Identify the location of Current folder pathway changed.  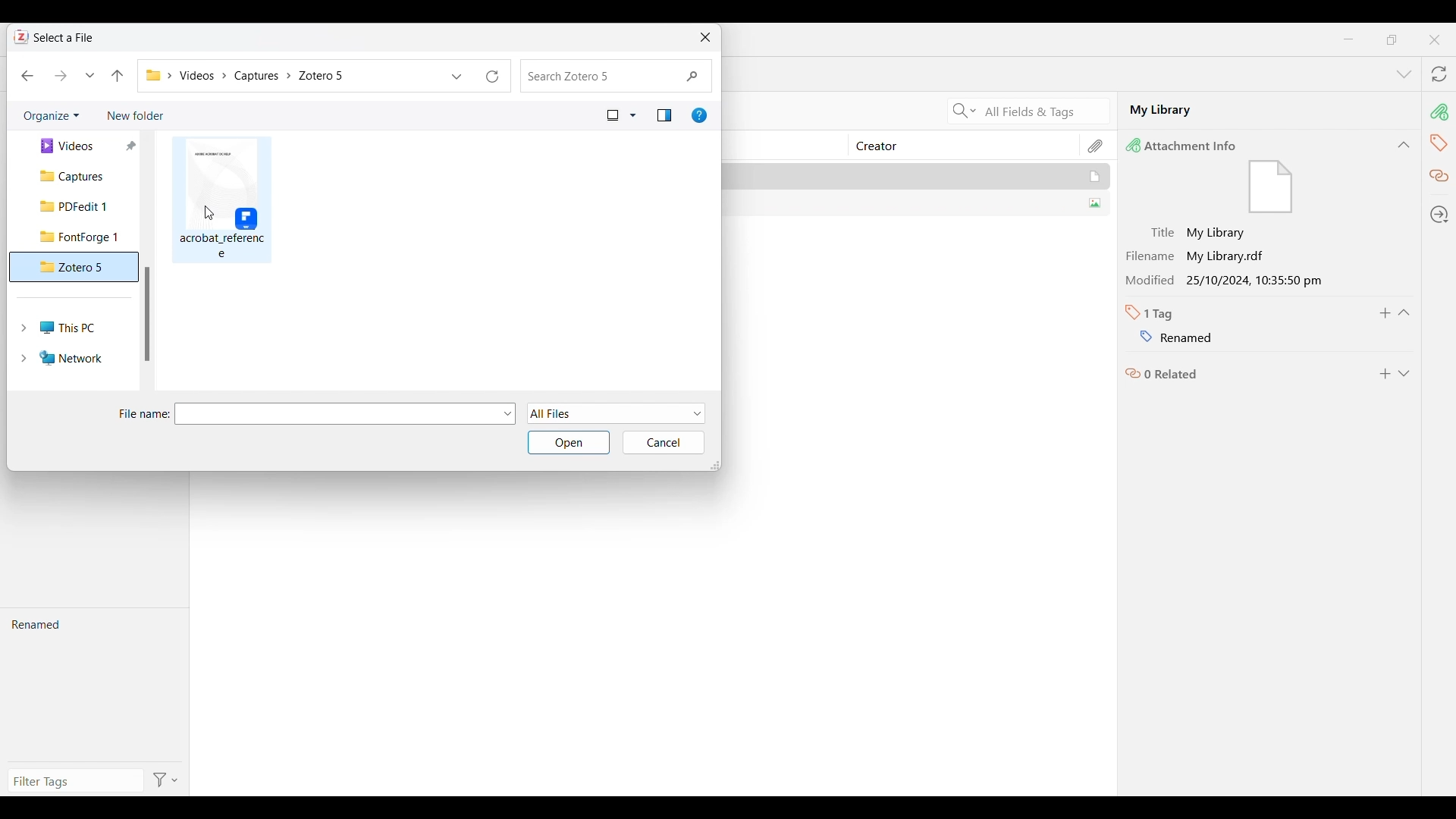
(290, 76).